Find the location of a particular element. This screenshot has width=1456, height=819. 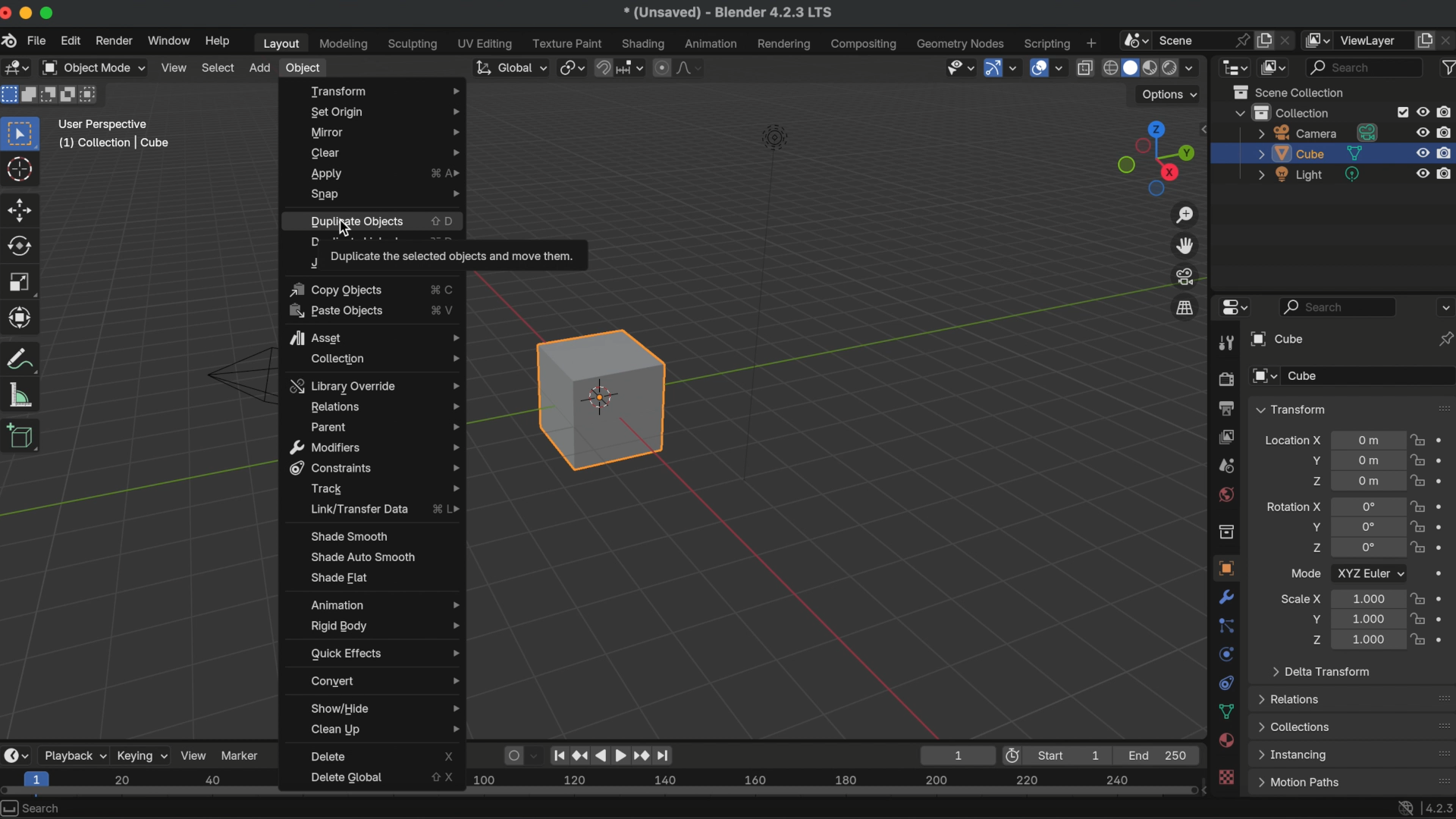

viewport shading wireframe  is located at coordinates (1109, 68).